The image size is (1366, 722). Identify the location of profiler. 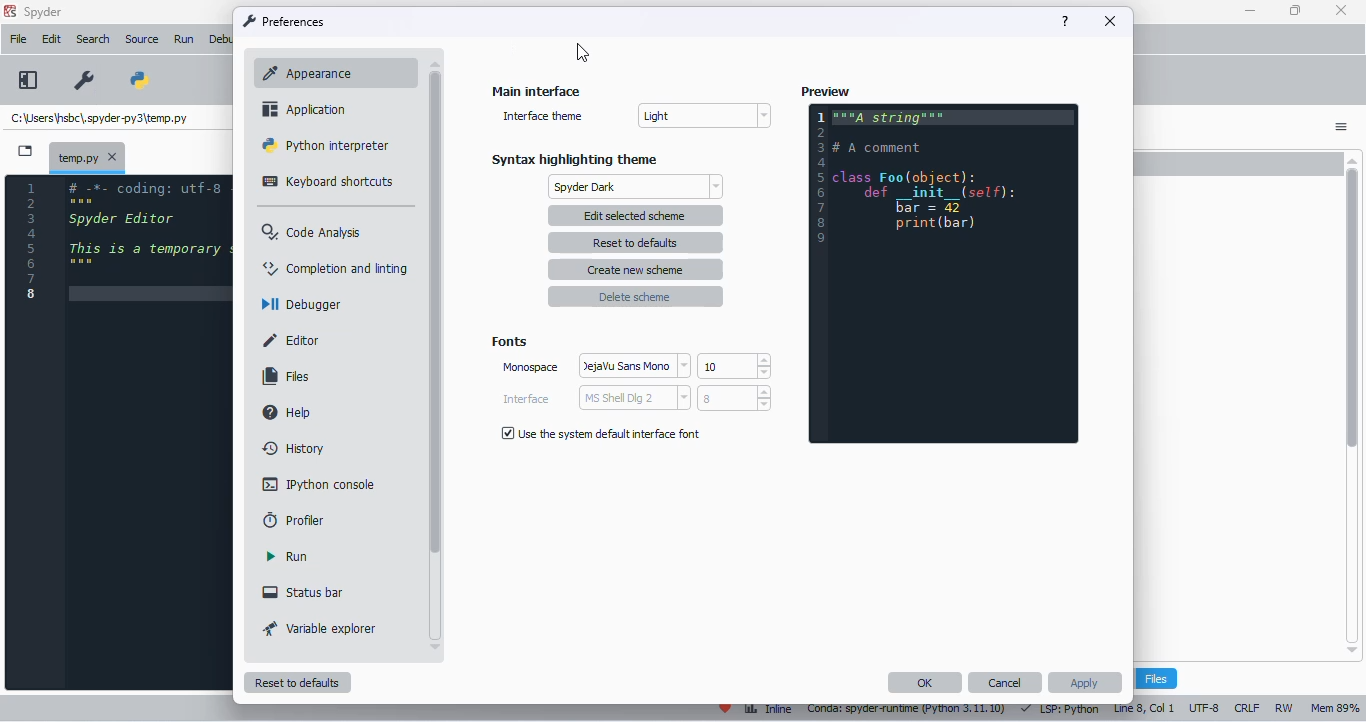
(295, 520).